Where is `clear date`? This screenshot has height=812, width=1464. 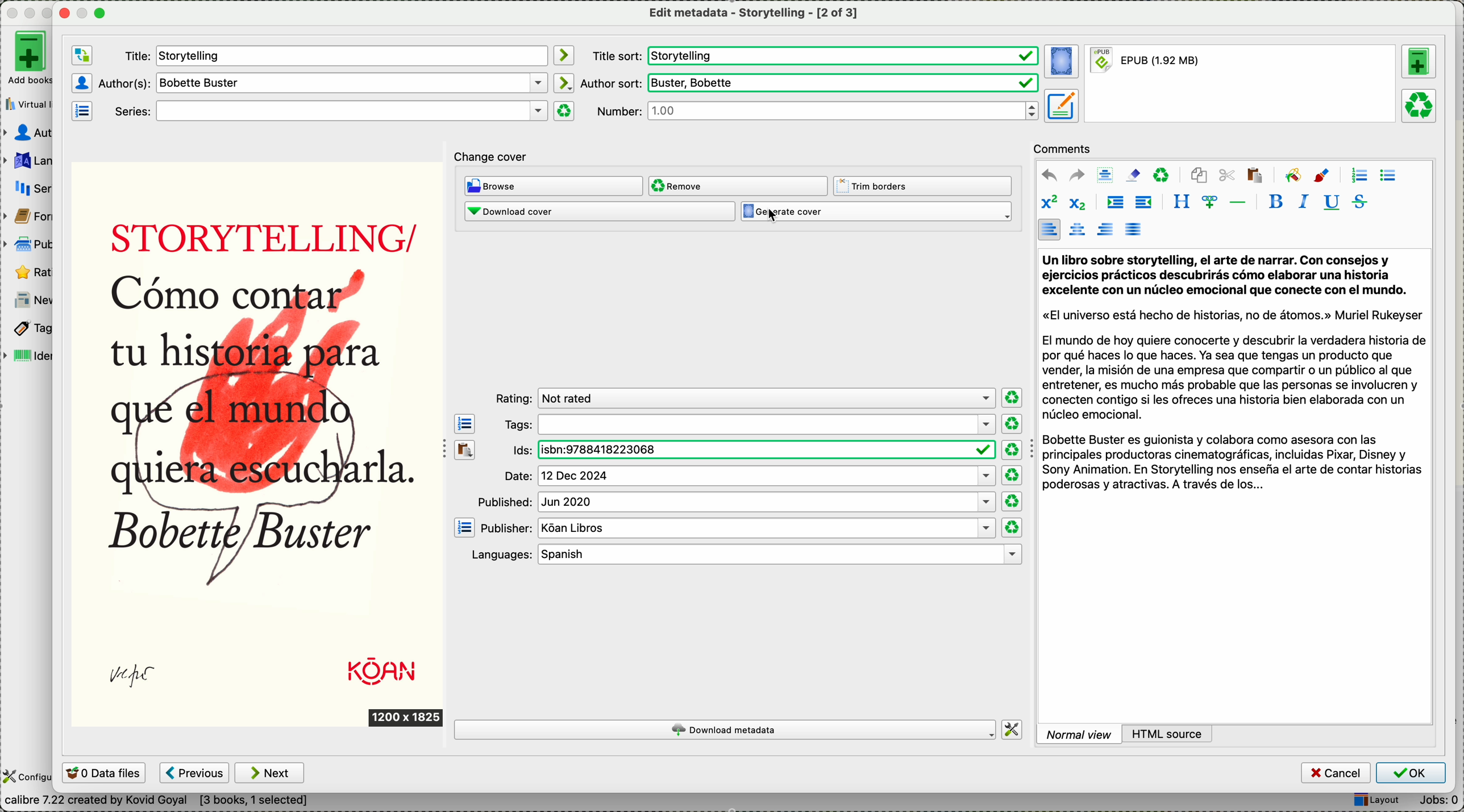 clear date is located at coordinates (1013, 527).